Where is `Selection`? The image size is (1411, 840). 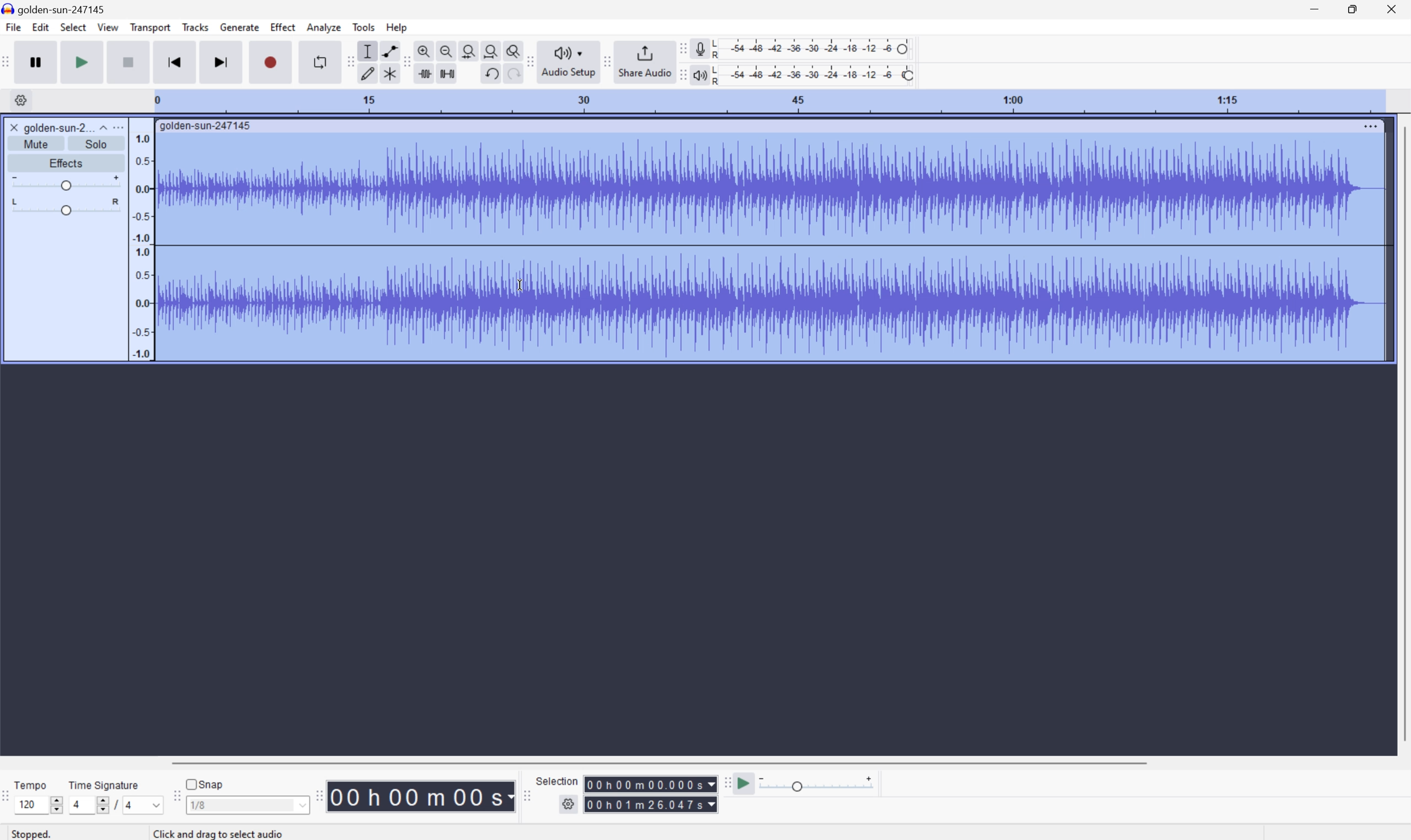 Selection is located at coordinates (559, 781).